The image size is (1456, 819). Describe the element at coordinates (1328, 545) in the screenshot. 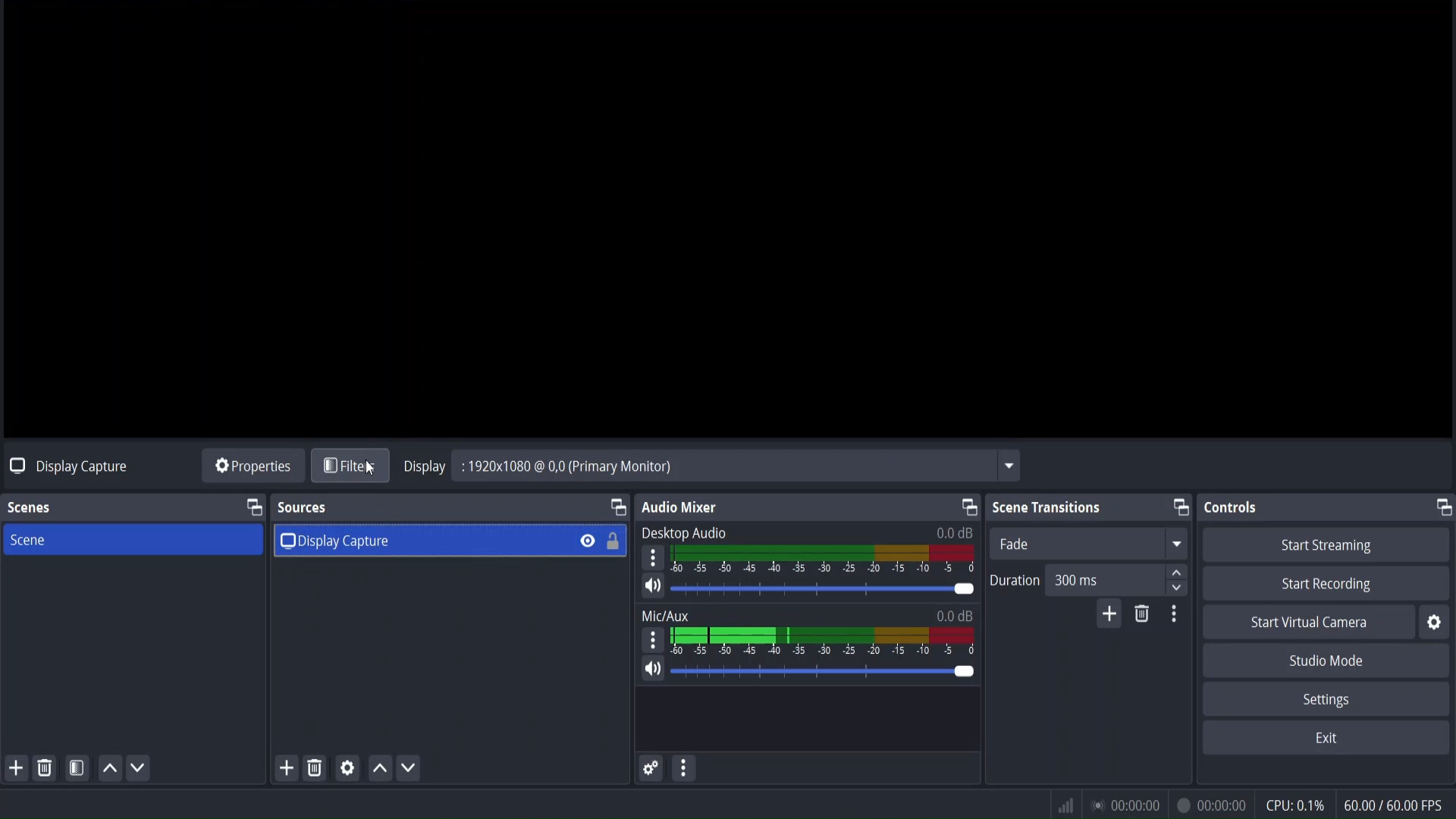

I see `start streaming` at that location.